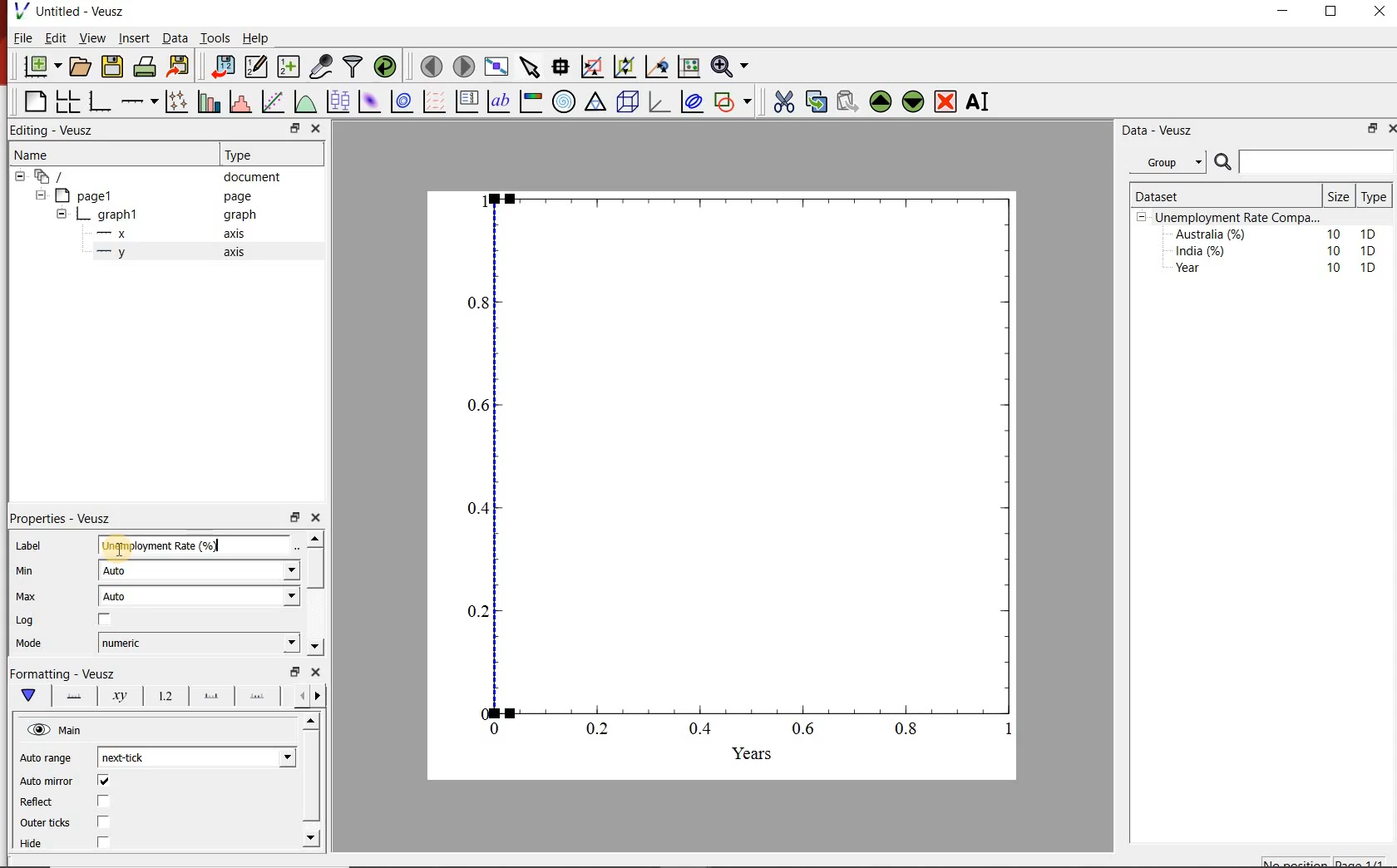 Image resolution: width=1397 pixels, height=868 pixels. Describe the element at coordinates (369, 101) in the screenshot. I see `plot 2d datasets as image` at that location.